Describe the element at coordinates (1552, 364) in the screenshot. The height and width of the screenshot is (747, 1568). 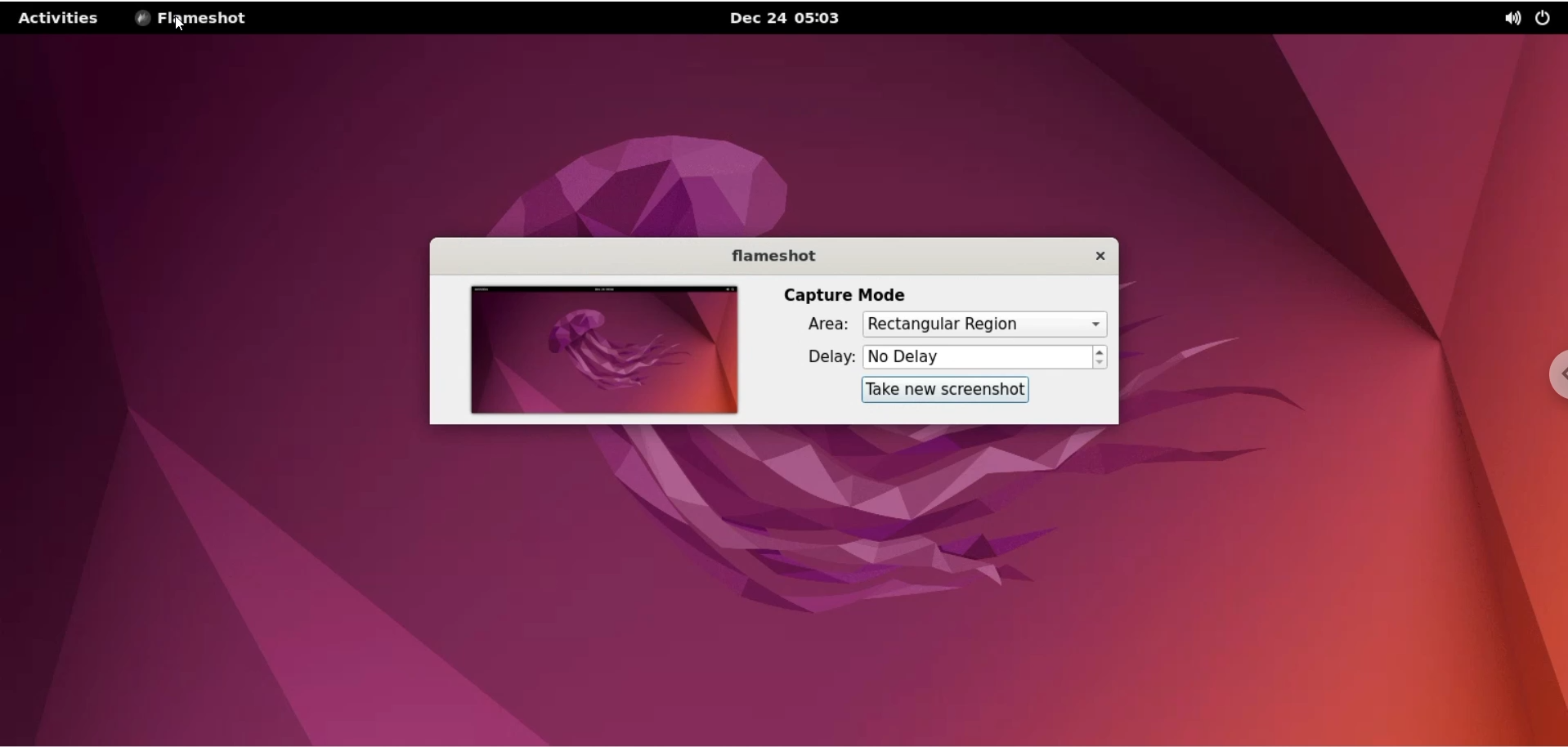
I see `chrome options` at that location.